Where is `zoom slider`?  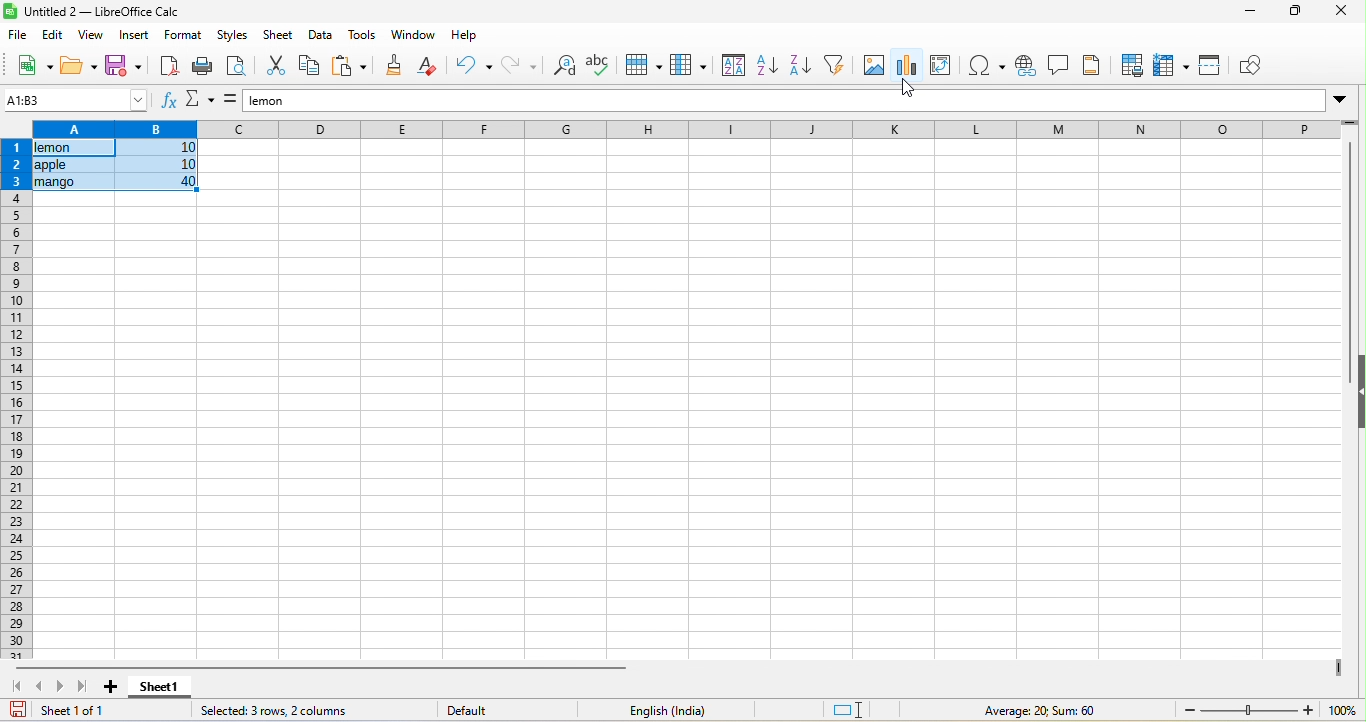
zoom slider is located at coordinates (1249, 709).